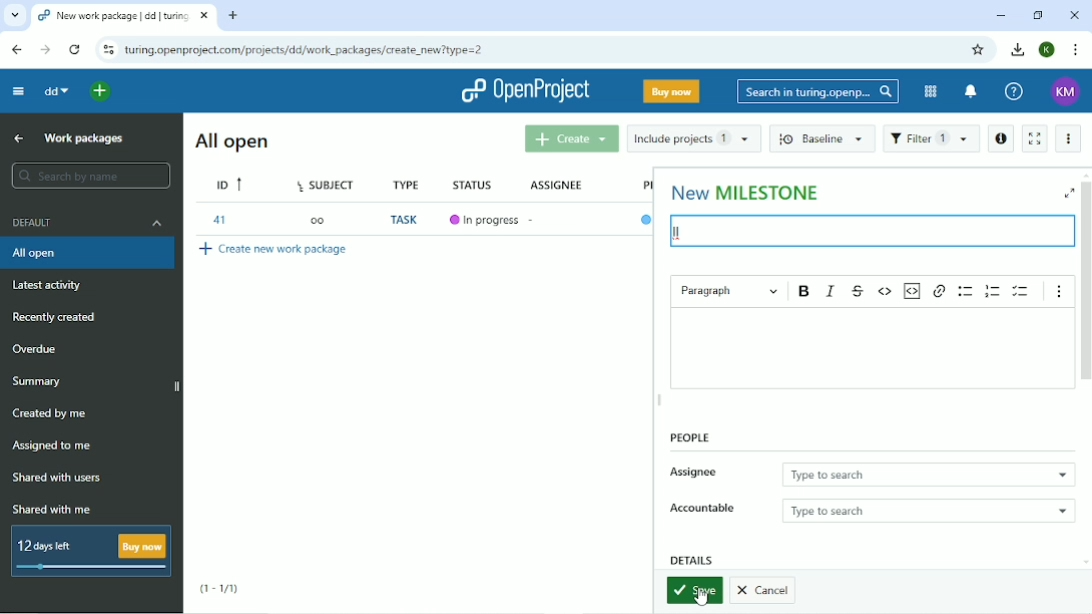  I want to click on assignee, so click(558, 181).